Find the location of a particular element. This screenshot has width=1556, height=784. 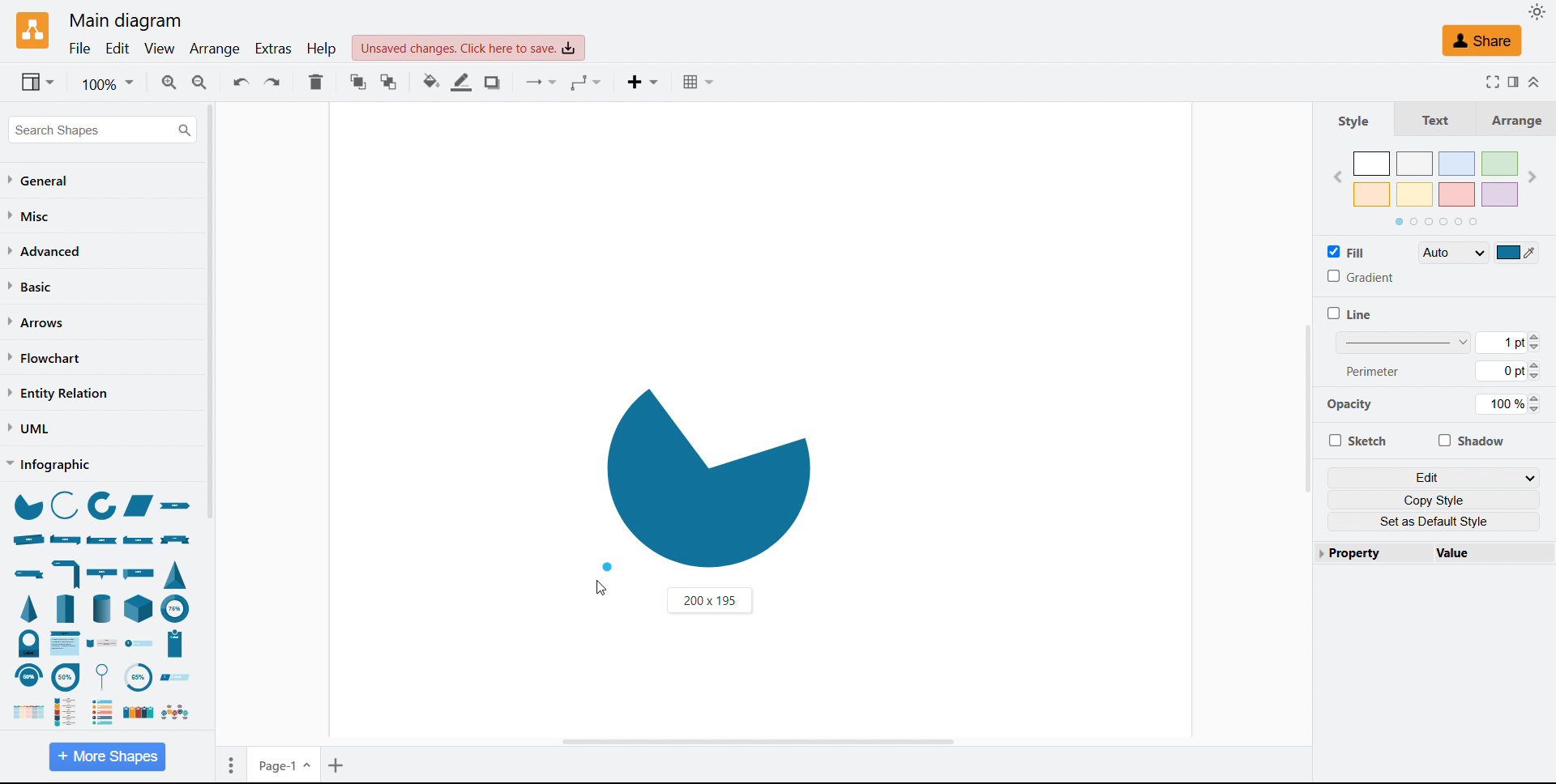

general  is located at coordinates (41, 181).